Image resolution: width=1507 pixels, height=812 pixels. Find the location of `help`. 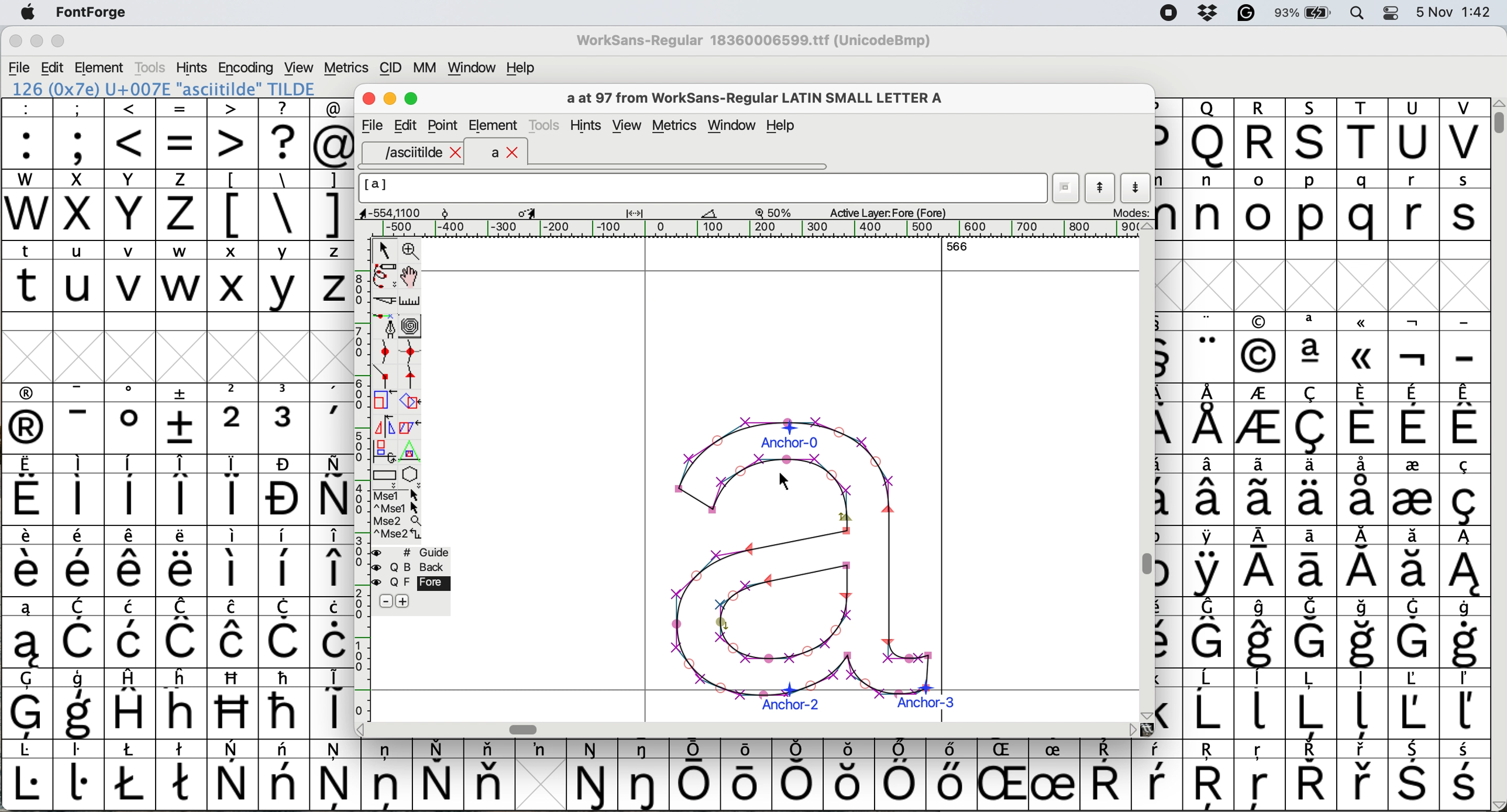

help is located at coordinates (522, 67).